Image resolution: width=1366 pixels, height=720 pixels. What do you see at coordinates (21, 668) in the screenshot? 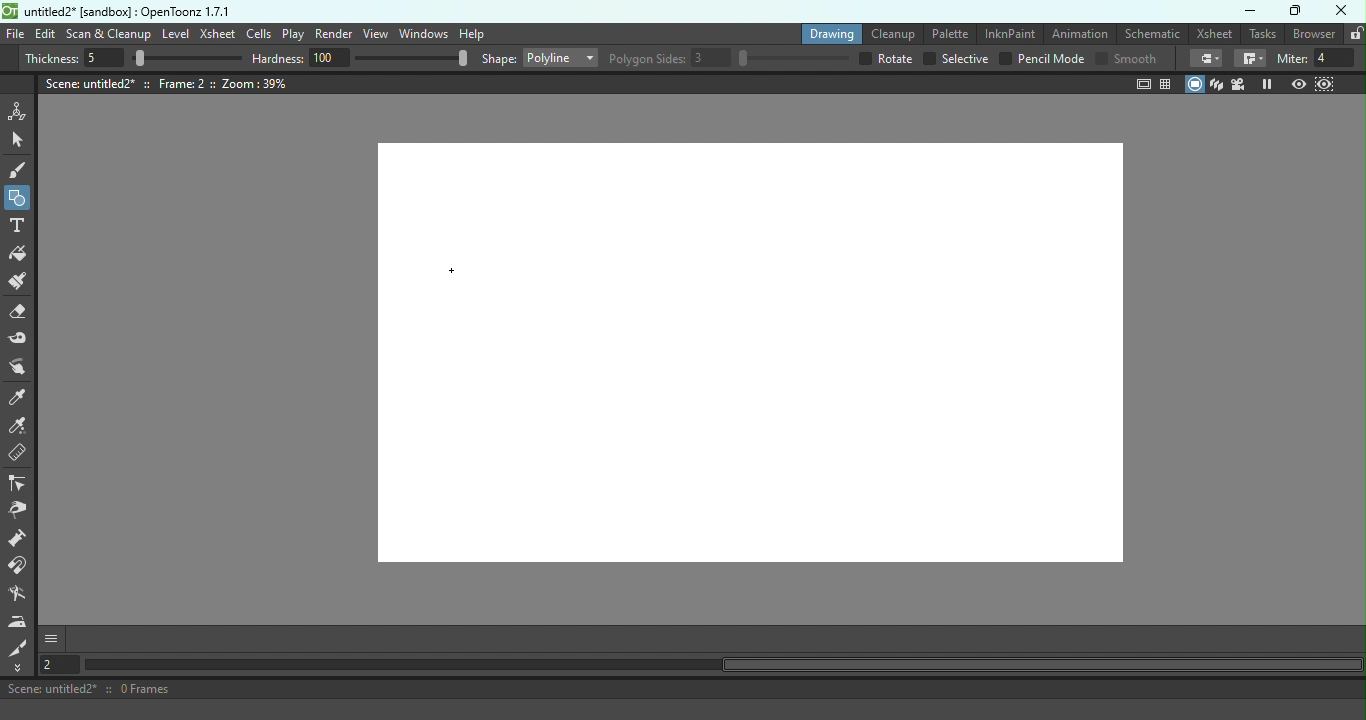
I see `More tools` at bounding box center [21, 668].